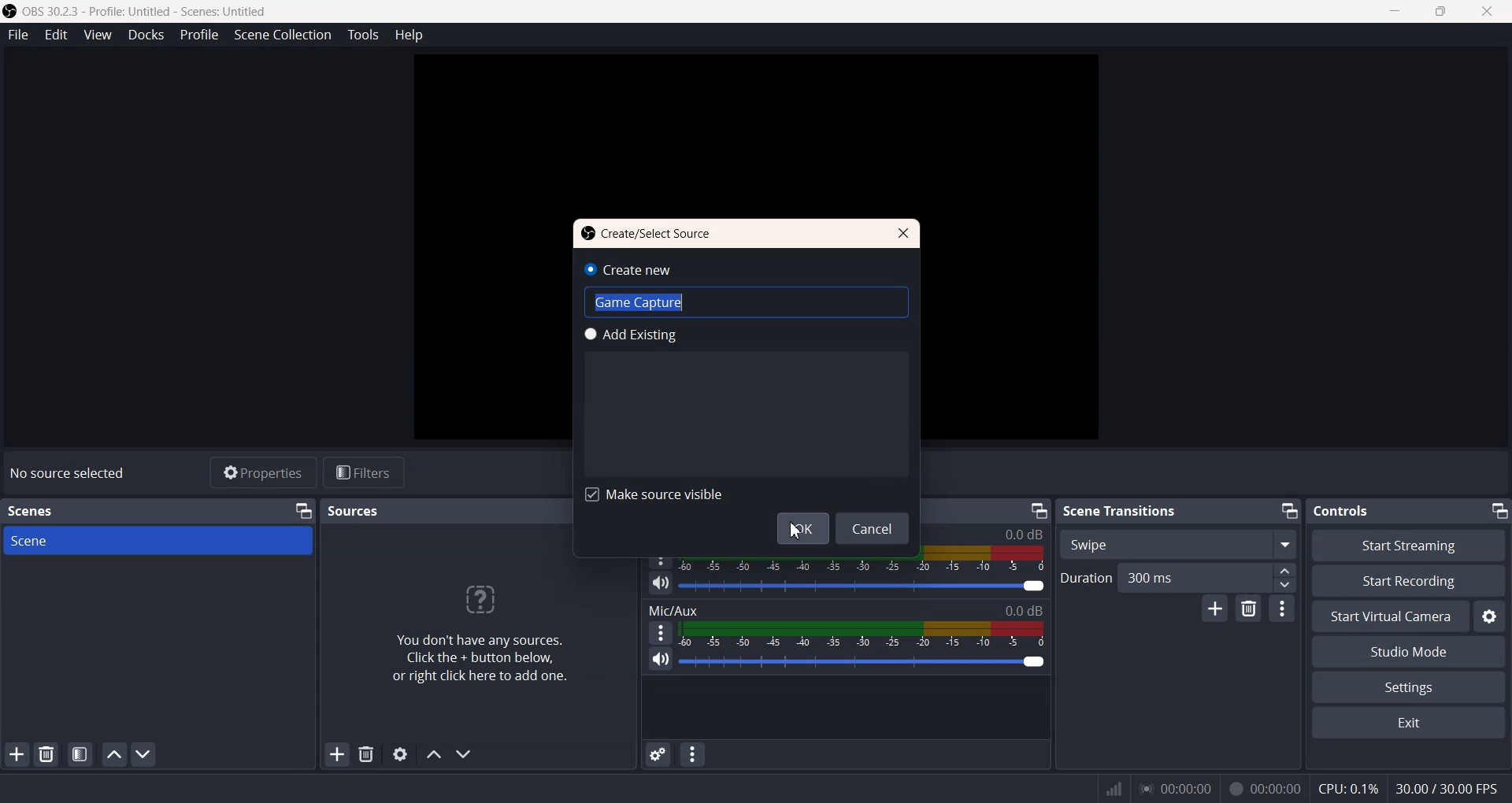  I want to click on Move Source Up, so click(435, 756).